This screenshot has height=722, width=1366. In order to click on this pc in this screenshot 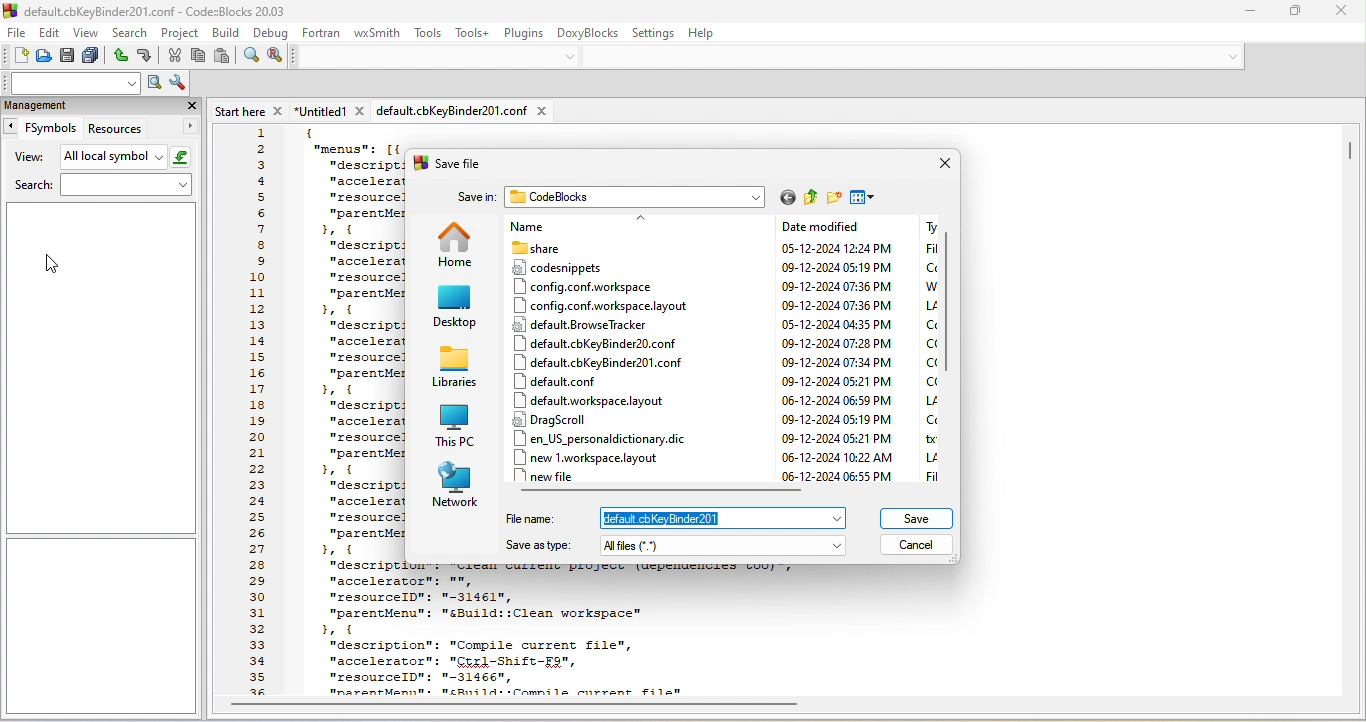, I will do `click(458, 425)`.